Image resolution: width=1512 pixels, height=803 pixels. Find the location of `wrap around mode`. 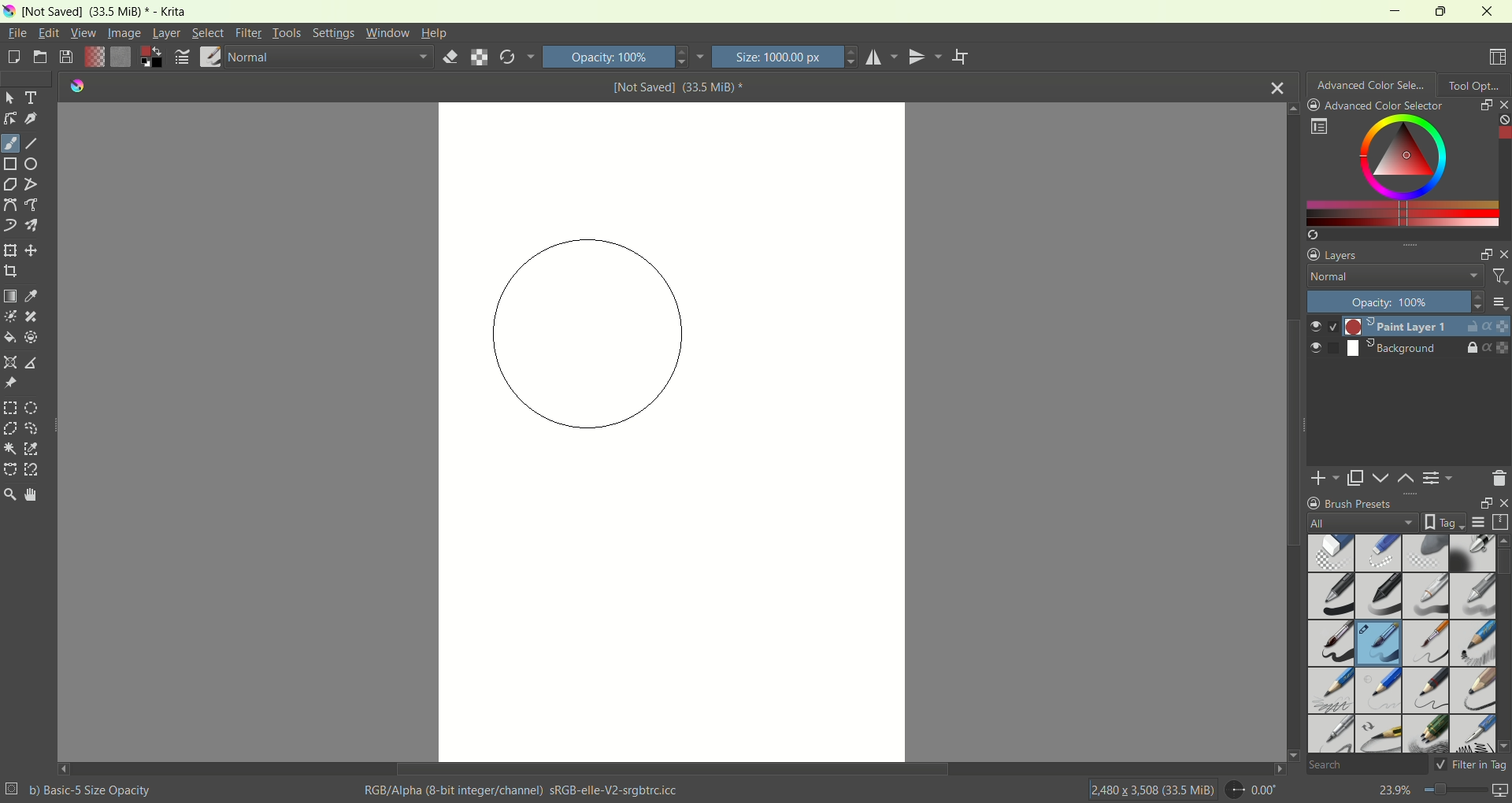

wrap around mode is located at coordinates (962, 57).